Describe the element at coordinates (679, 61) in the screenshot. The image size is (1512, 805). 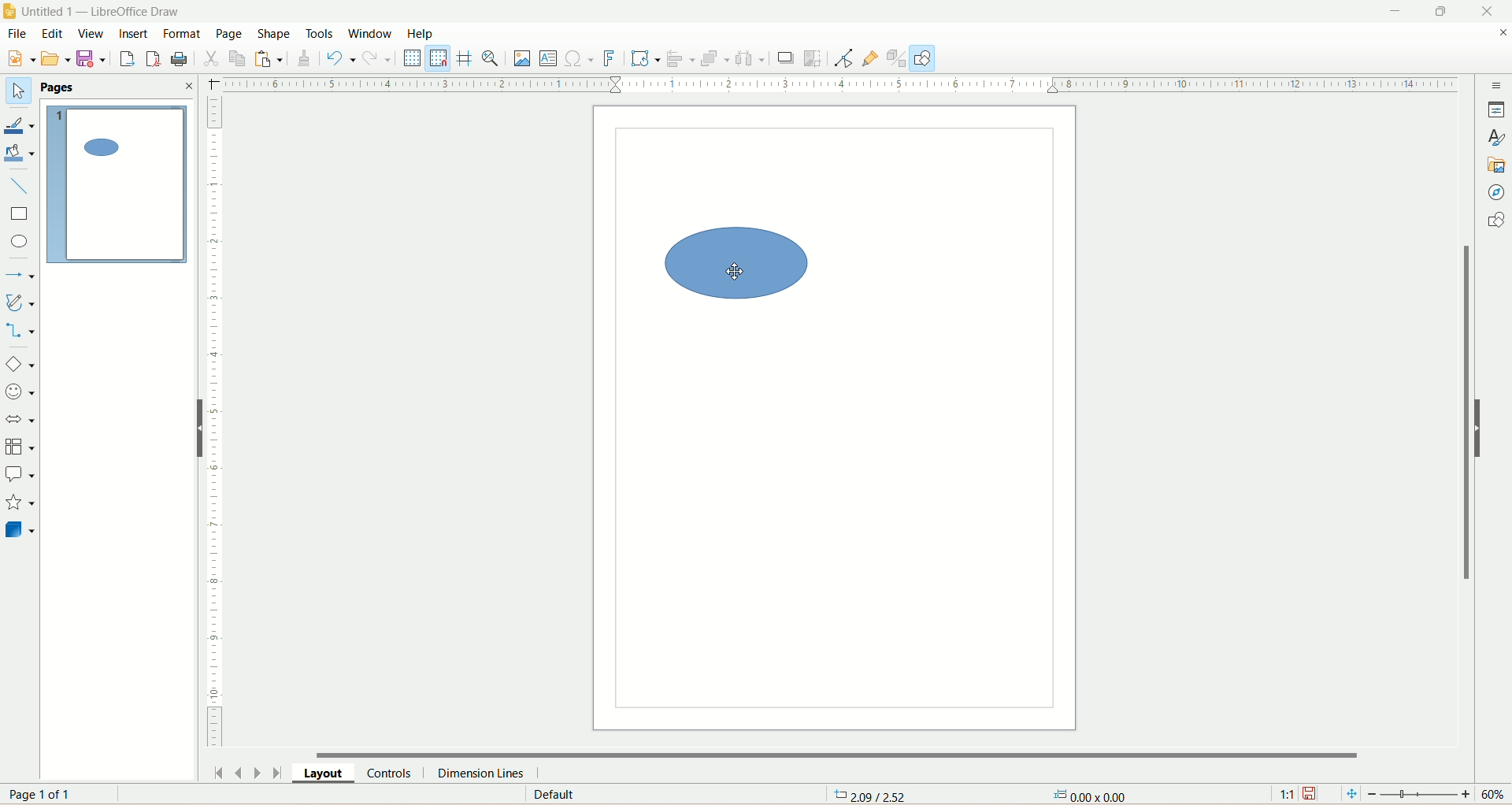
I see `allign` at that location.